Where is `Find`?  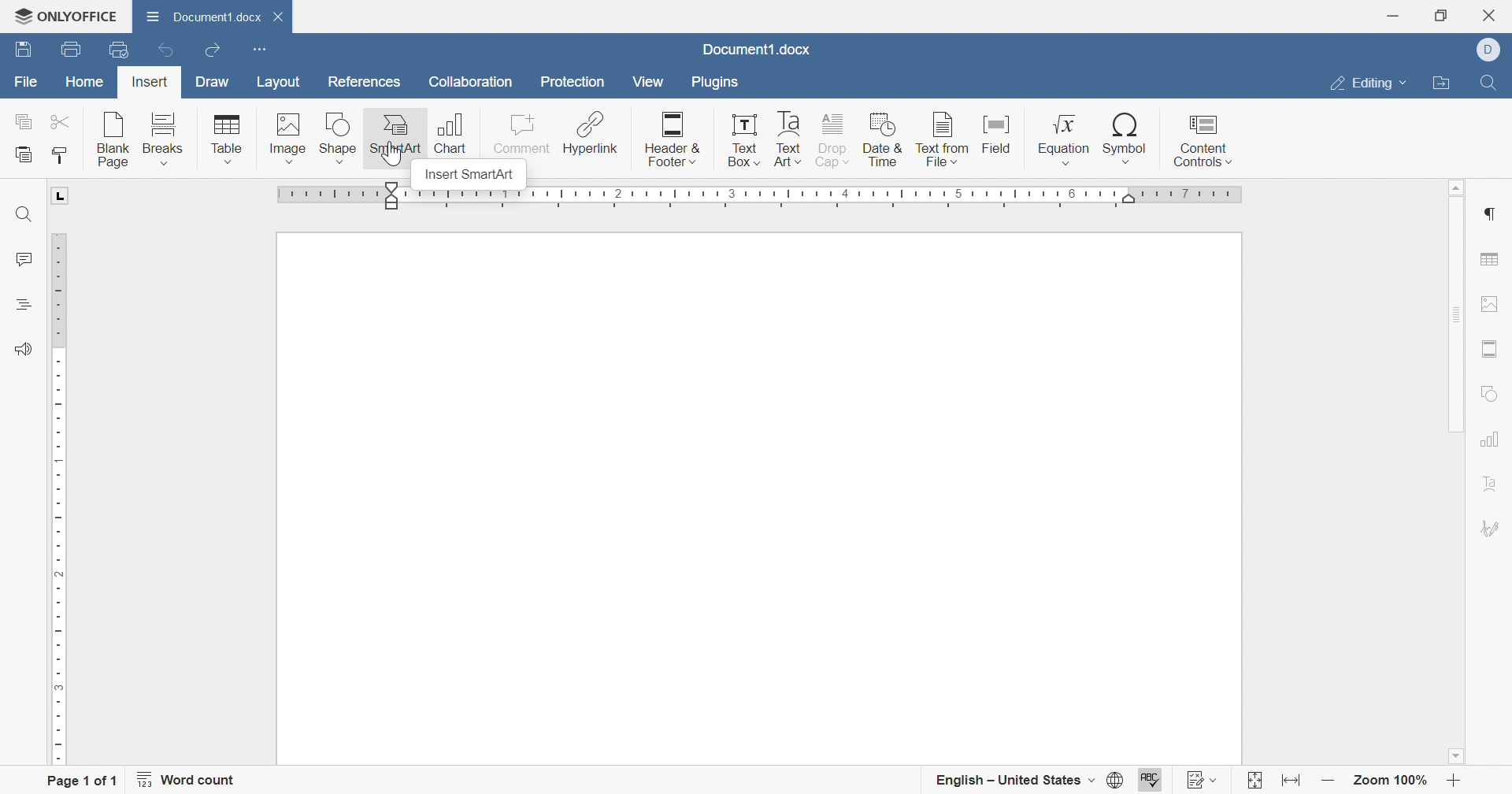
Find is located at coordinates (21, 215).